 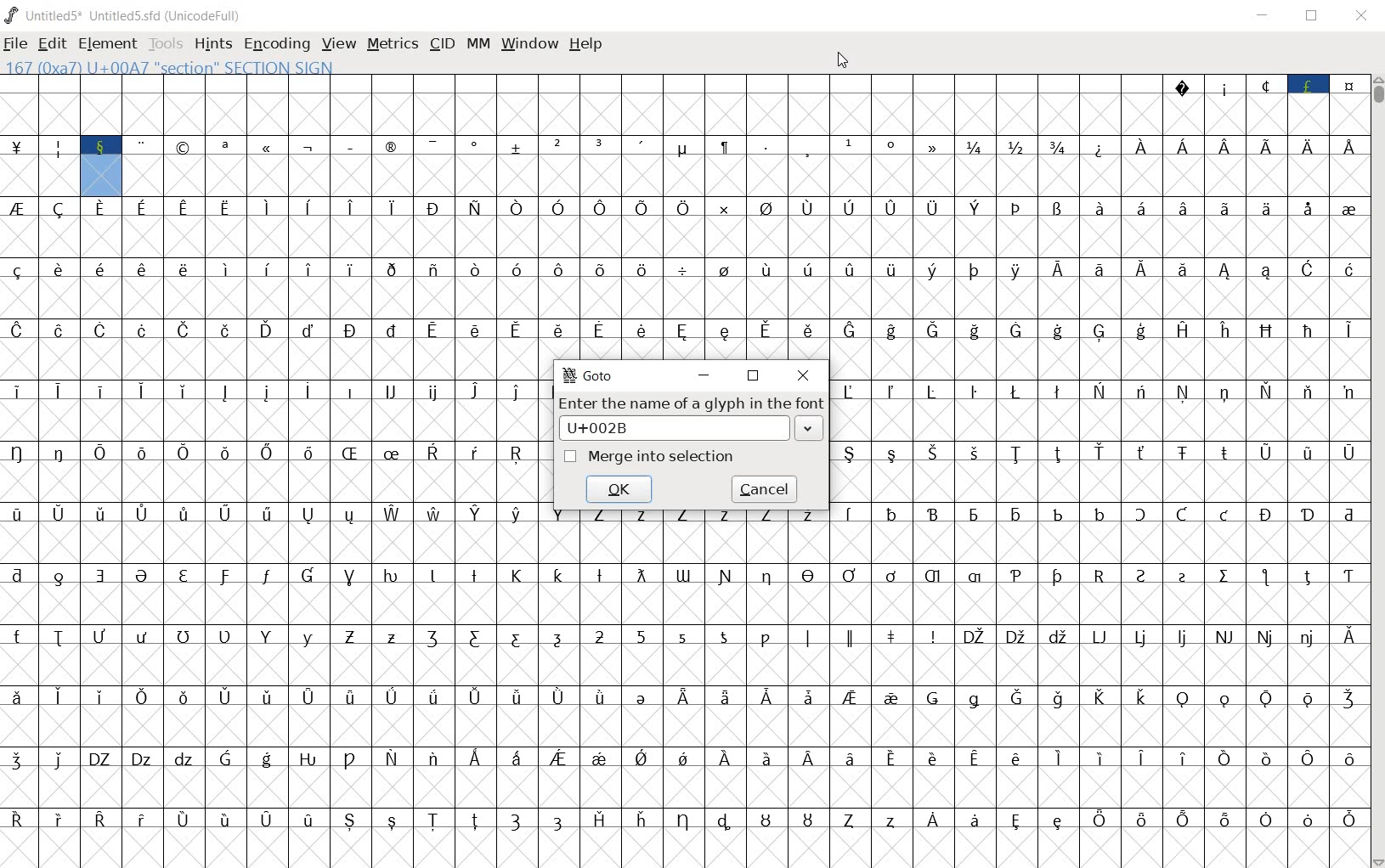 What do you see at coordinates (767, 227) in the screenshot?
I see `symbol` at bounding box center [767, 227].